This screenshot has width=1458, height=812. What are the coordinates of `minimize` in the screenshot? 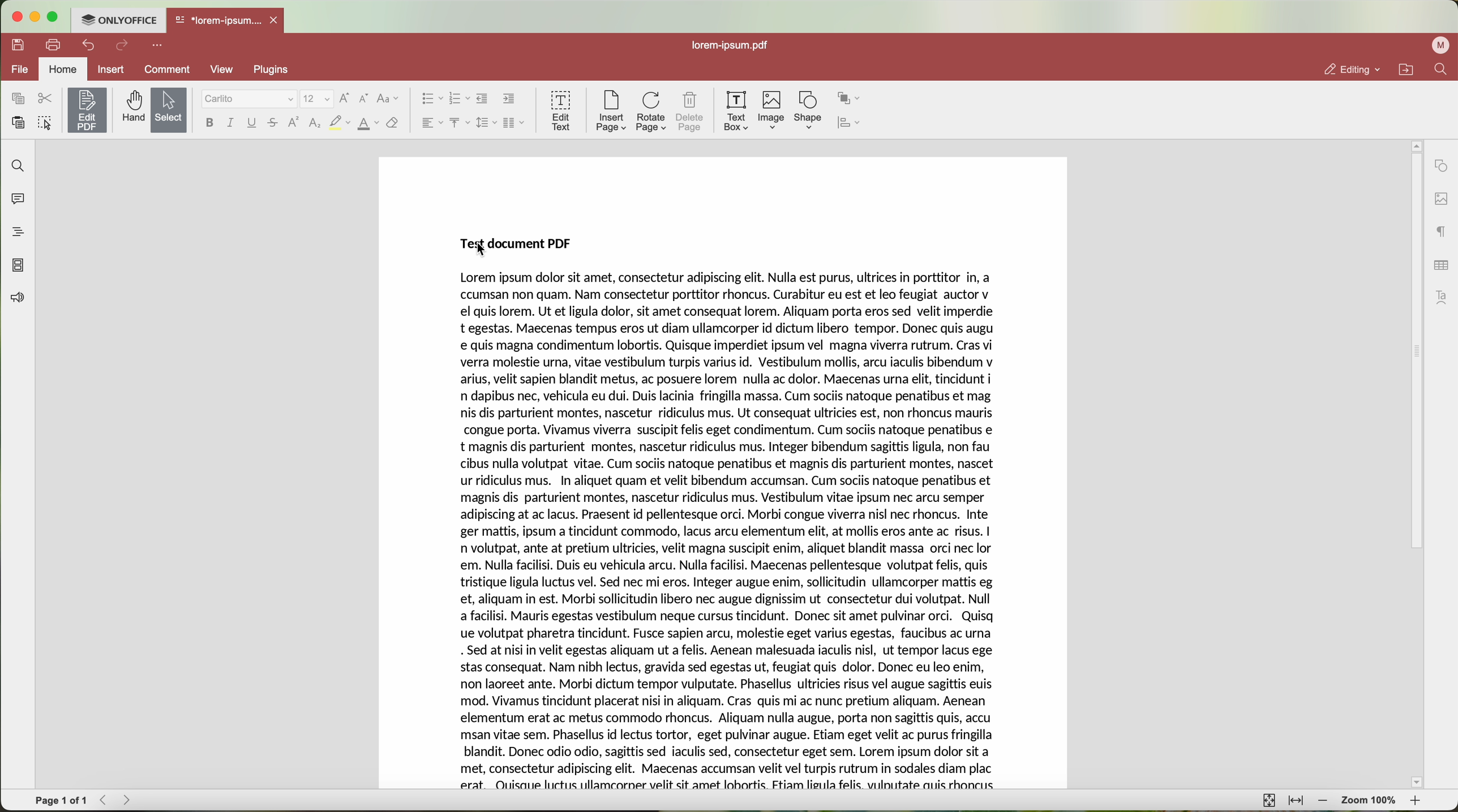 It's located at (37, 17).